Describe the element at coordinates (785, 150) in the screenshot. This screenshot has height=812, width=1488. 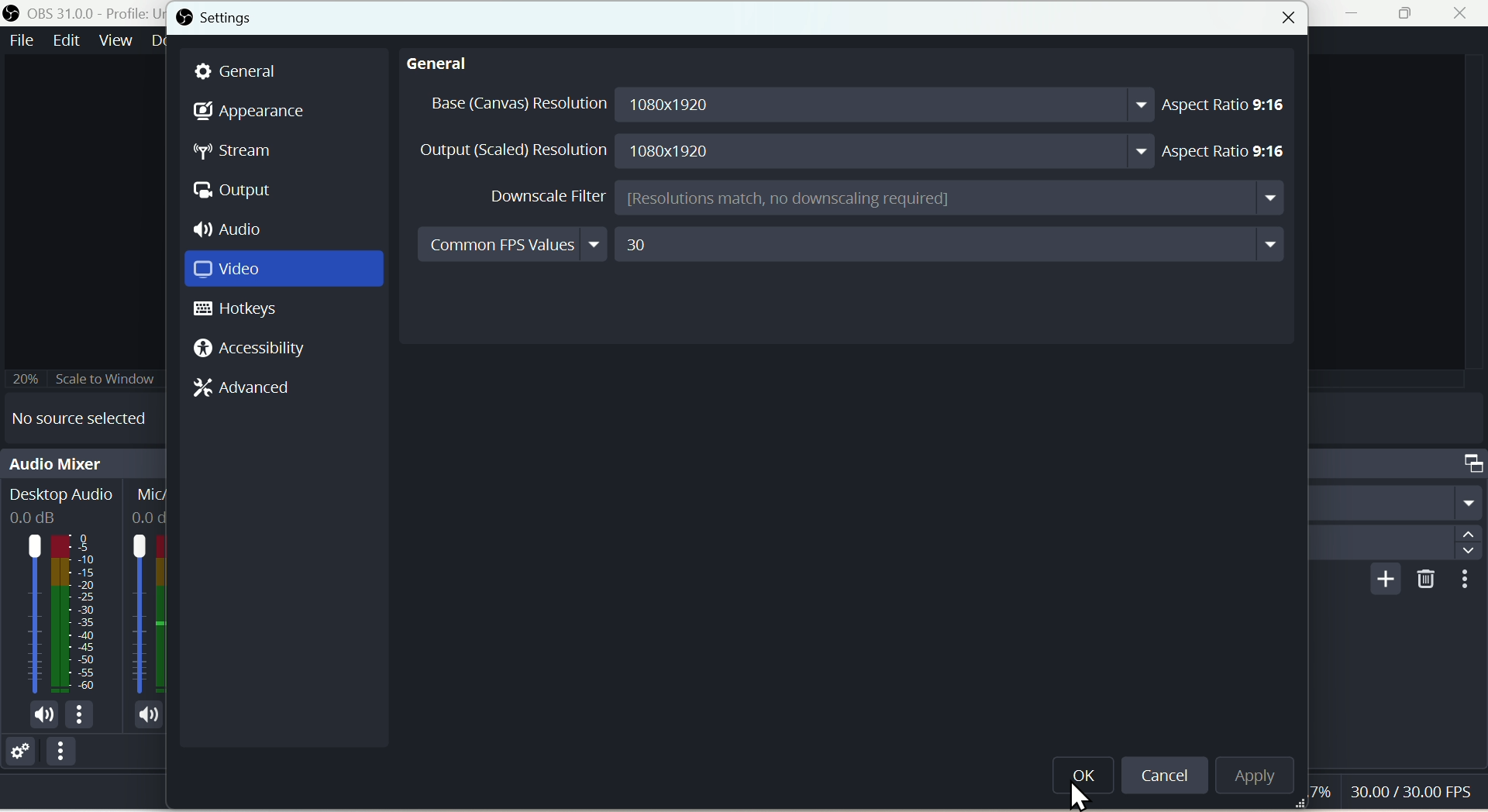
I see `Output resolution` at that location.